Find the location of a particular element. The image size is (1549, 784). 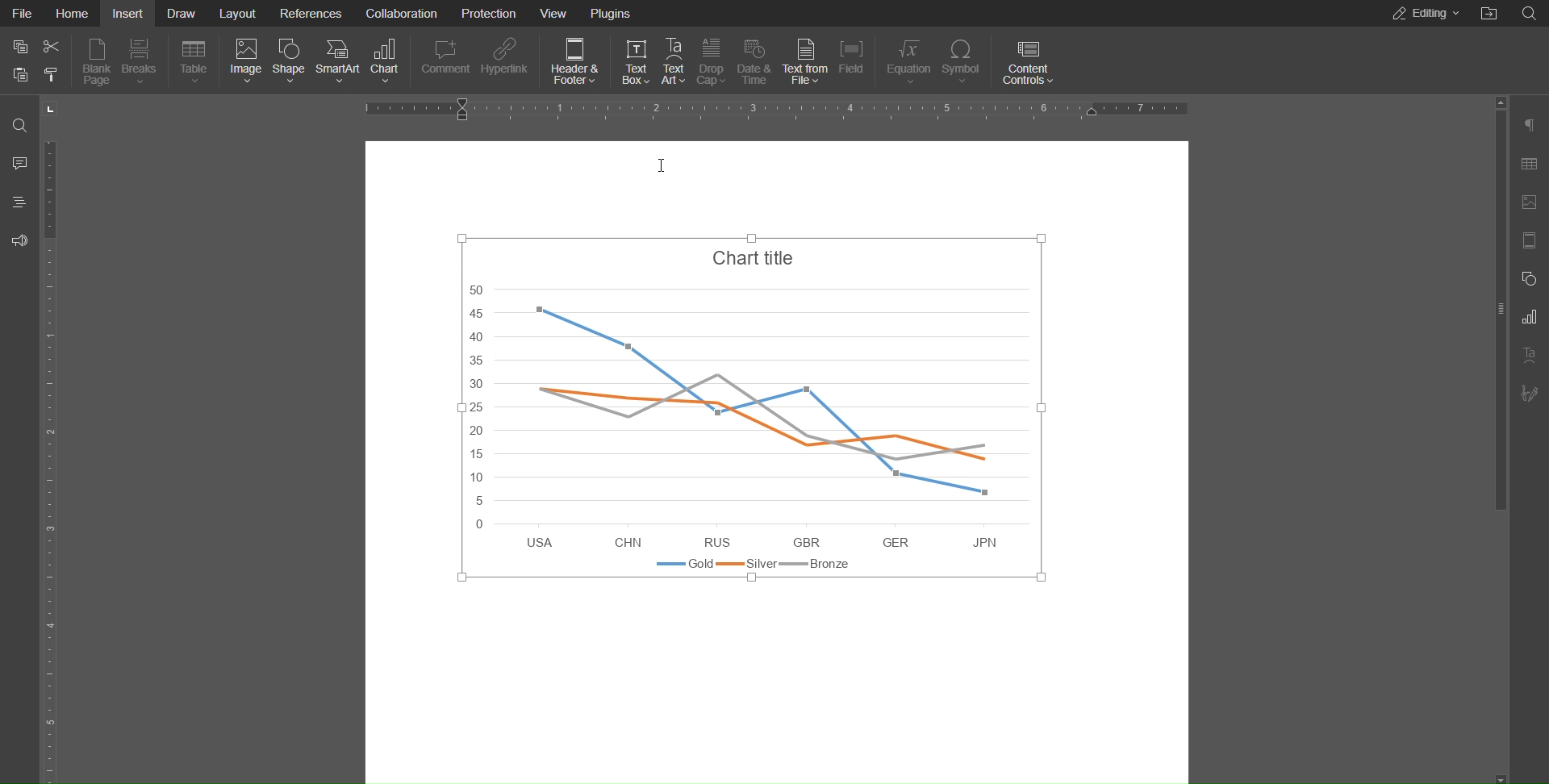

Highlighted Point is located at coordinates (896, 473).